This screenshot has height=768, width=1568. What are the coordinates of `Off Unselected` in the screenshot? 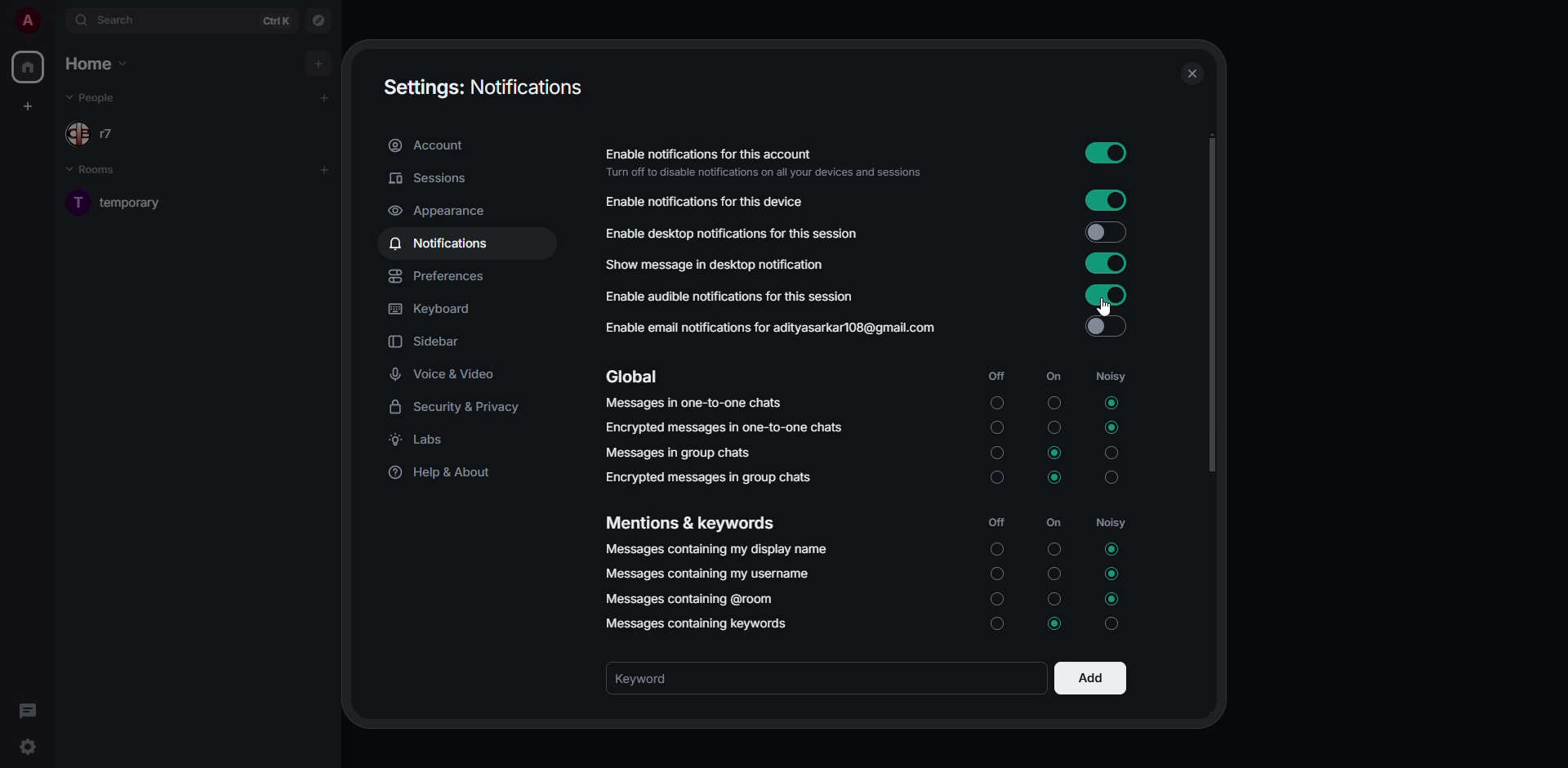 It's located at (998, 403).